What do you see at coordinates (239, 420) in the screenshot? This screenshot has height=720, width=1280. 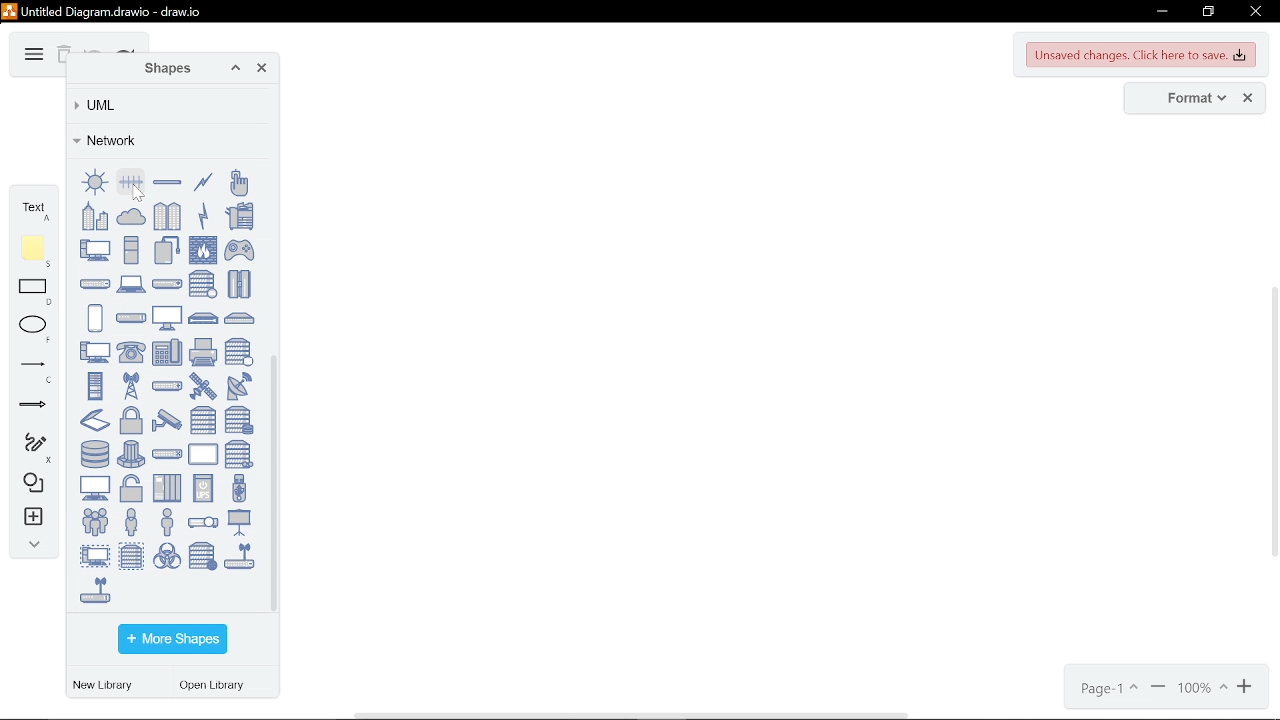 I see `server storage` at bounding box center [239, 420].